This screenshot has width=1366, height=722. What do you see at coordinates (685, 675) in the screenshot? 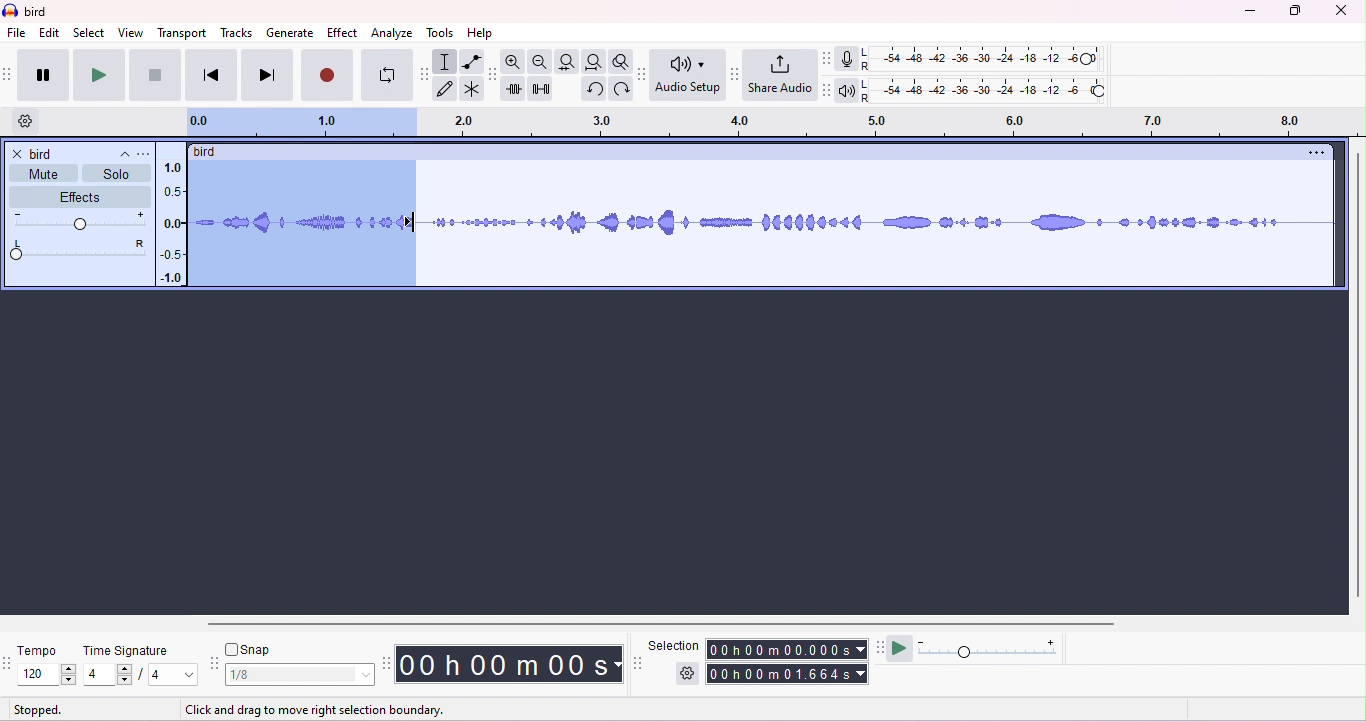
I see `selection options` at bounding box center [685, 675].